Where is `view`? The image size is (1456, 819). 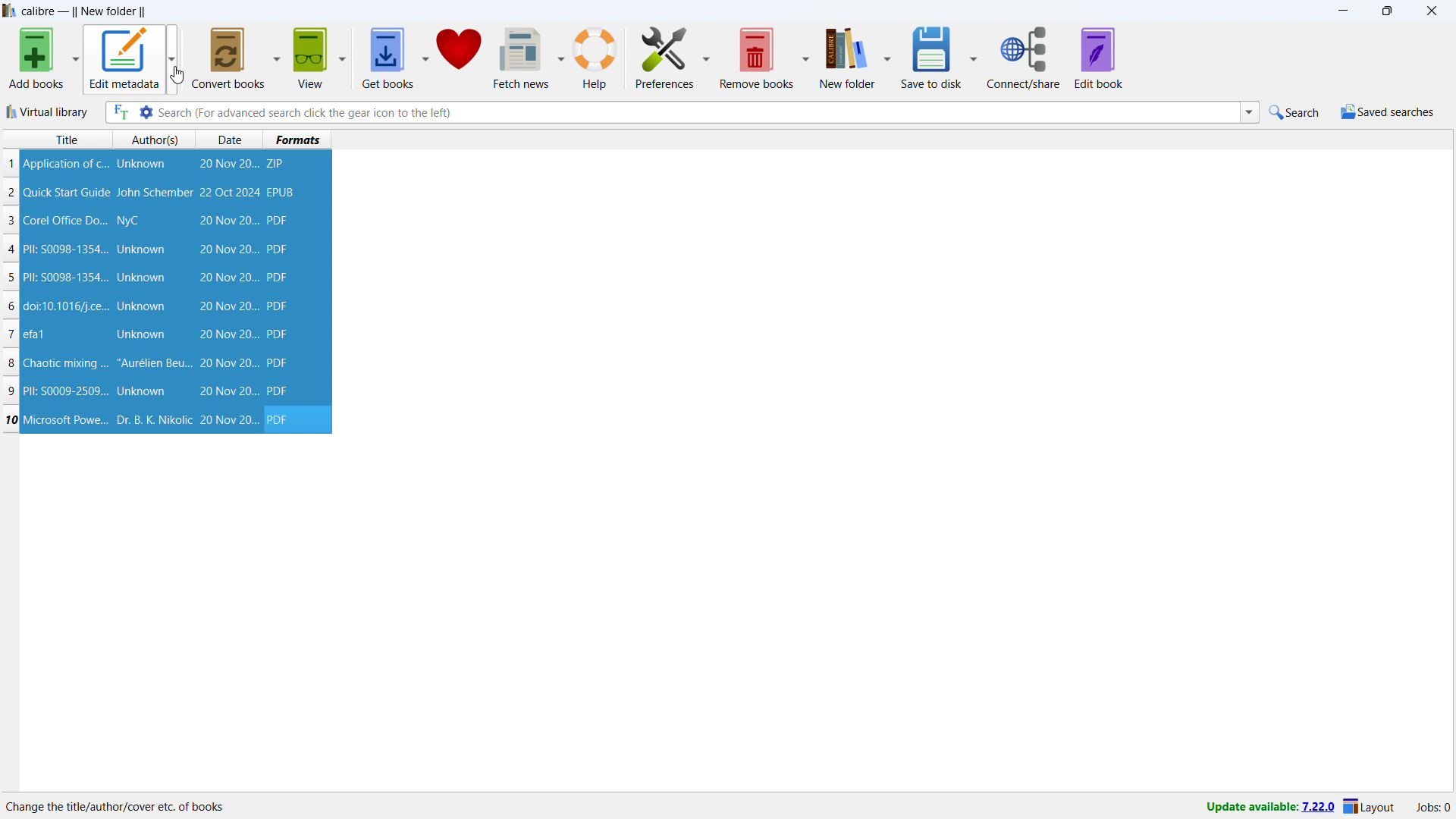
view is located at coordinates (310, 58).